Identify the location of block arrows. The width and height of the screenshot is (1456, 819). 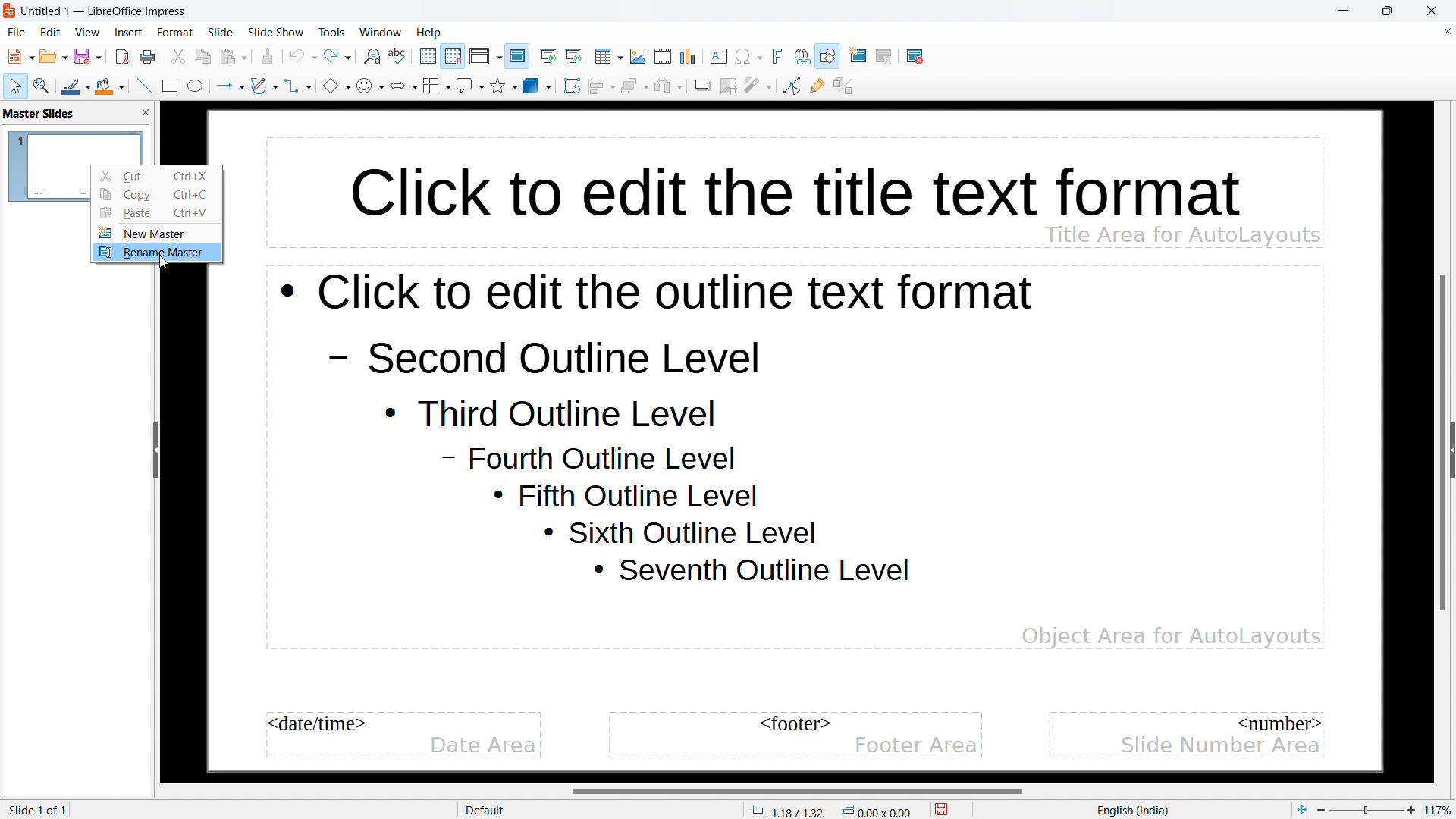
(403, 85).